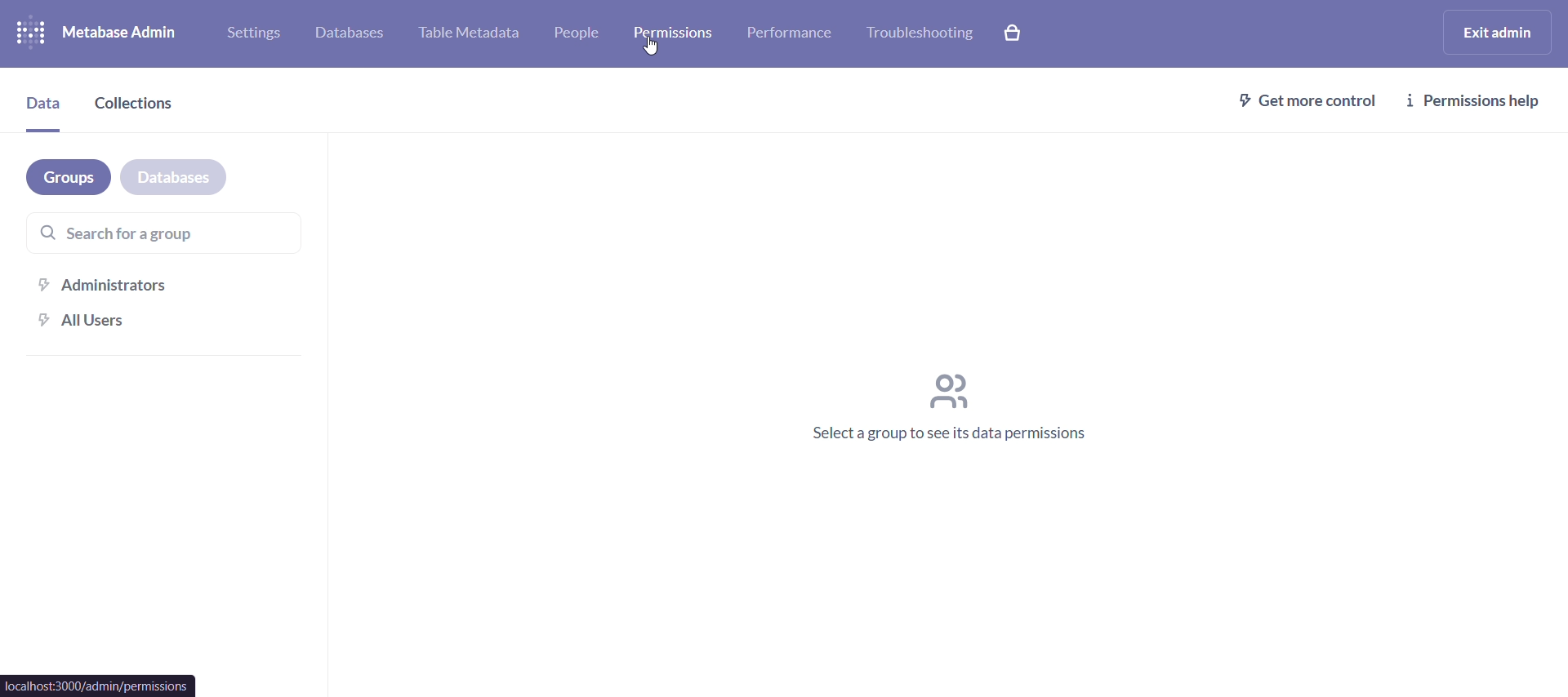  Describe the element at coordinates (345, 33) in the screenshot. I see `database` at that location.